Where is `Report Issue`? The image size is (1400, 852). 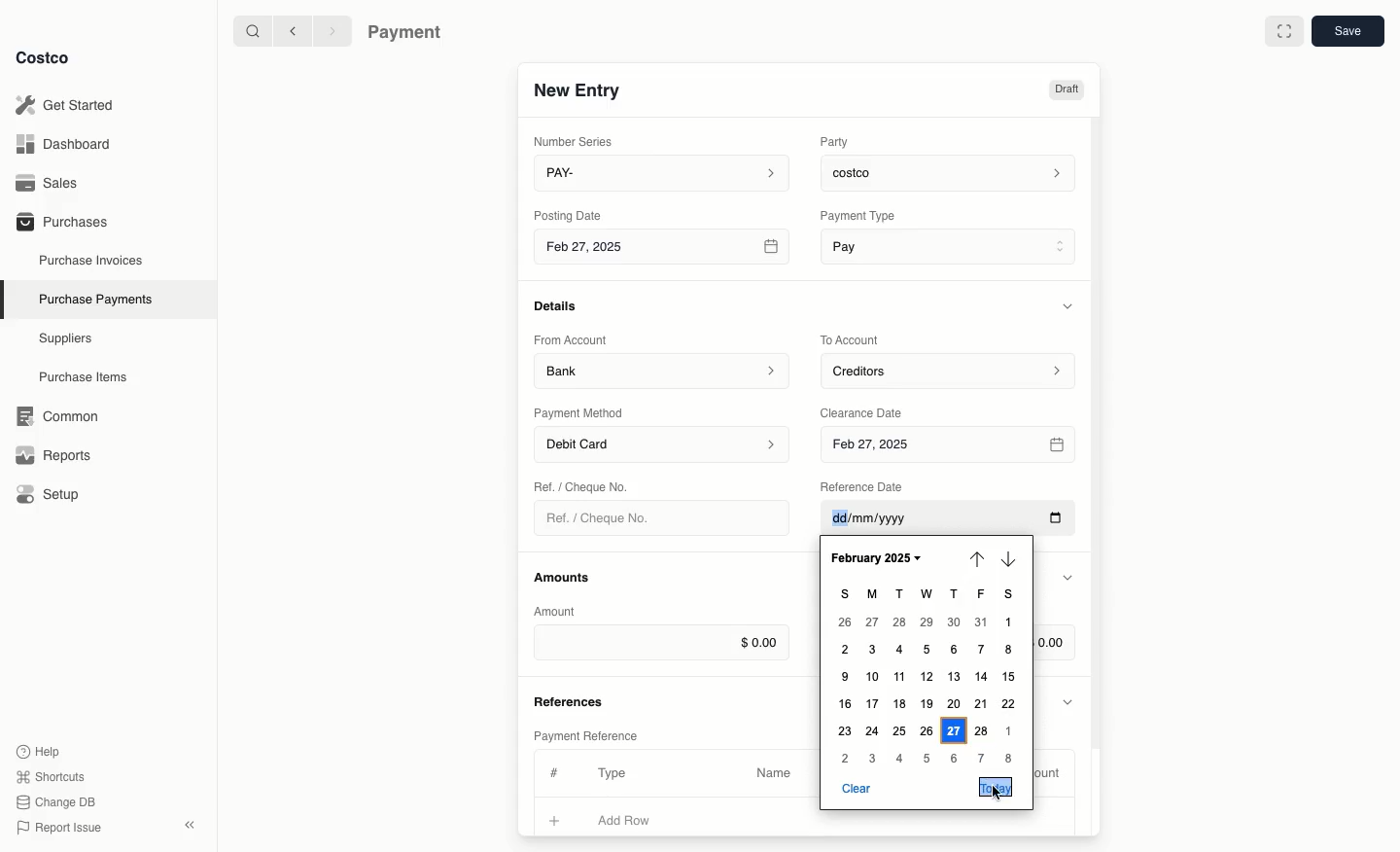
Report Issue is located at coordinates (59, 829).